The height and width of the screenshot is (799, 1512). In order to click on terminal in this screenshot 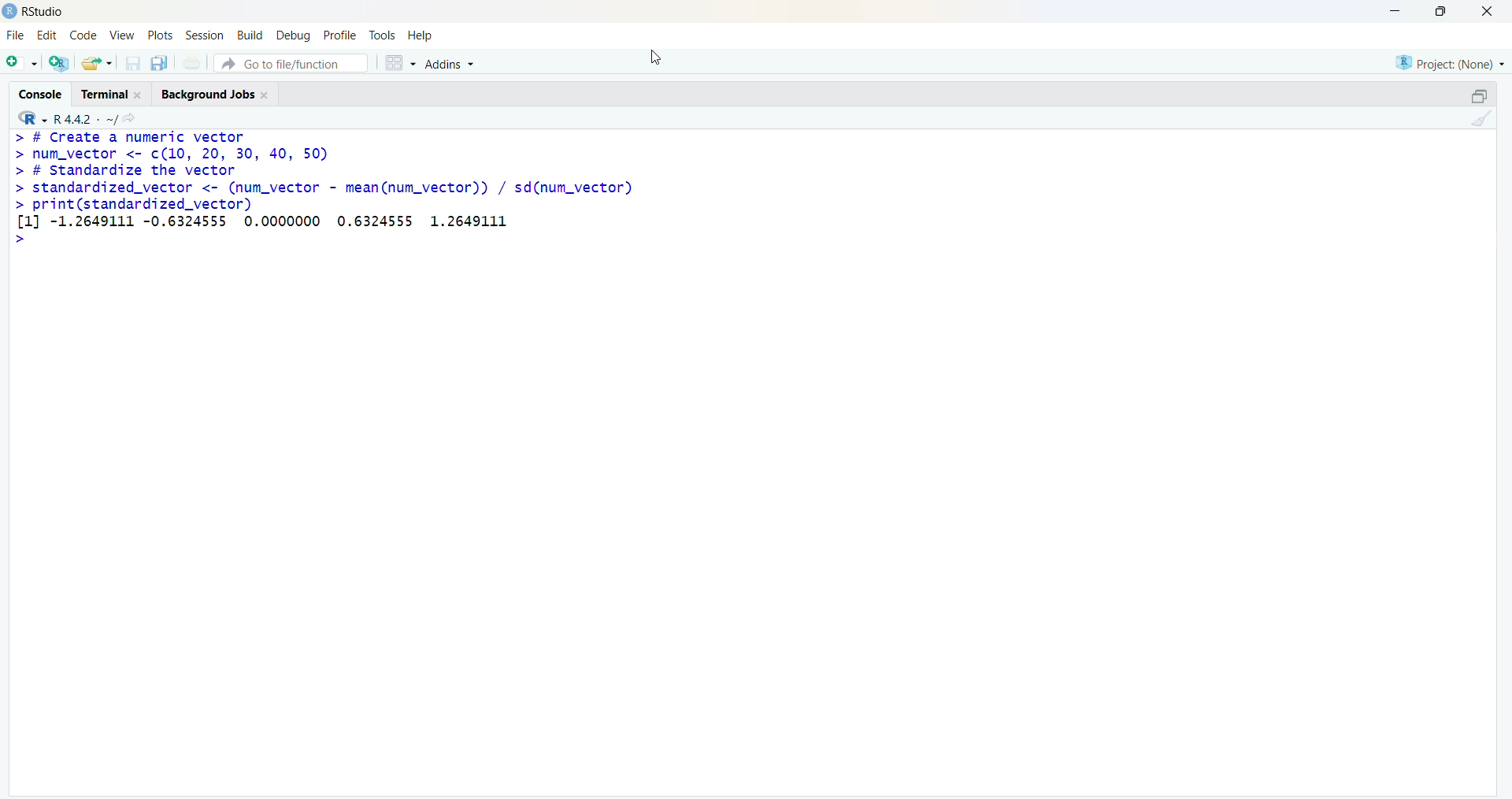, I will do `click(106, 95)`.